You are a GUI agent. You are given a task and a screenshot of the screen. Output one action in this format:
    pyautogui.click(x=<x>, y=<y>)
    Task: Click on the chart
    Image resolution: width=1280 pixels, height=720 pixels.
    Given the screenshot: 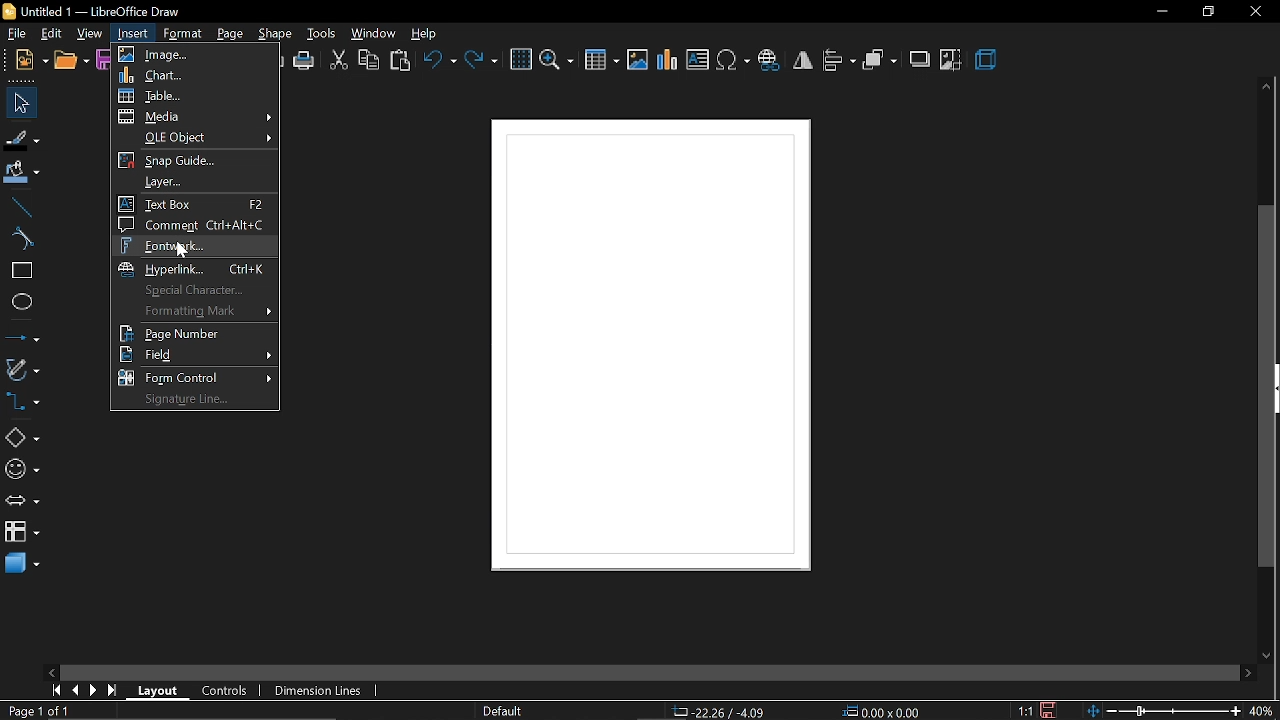 What is the action you would take?
    pyautogui.click(x=194, y=76)
    